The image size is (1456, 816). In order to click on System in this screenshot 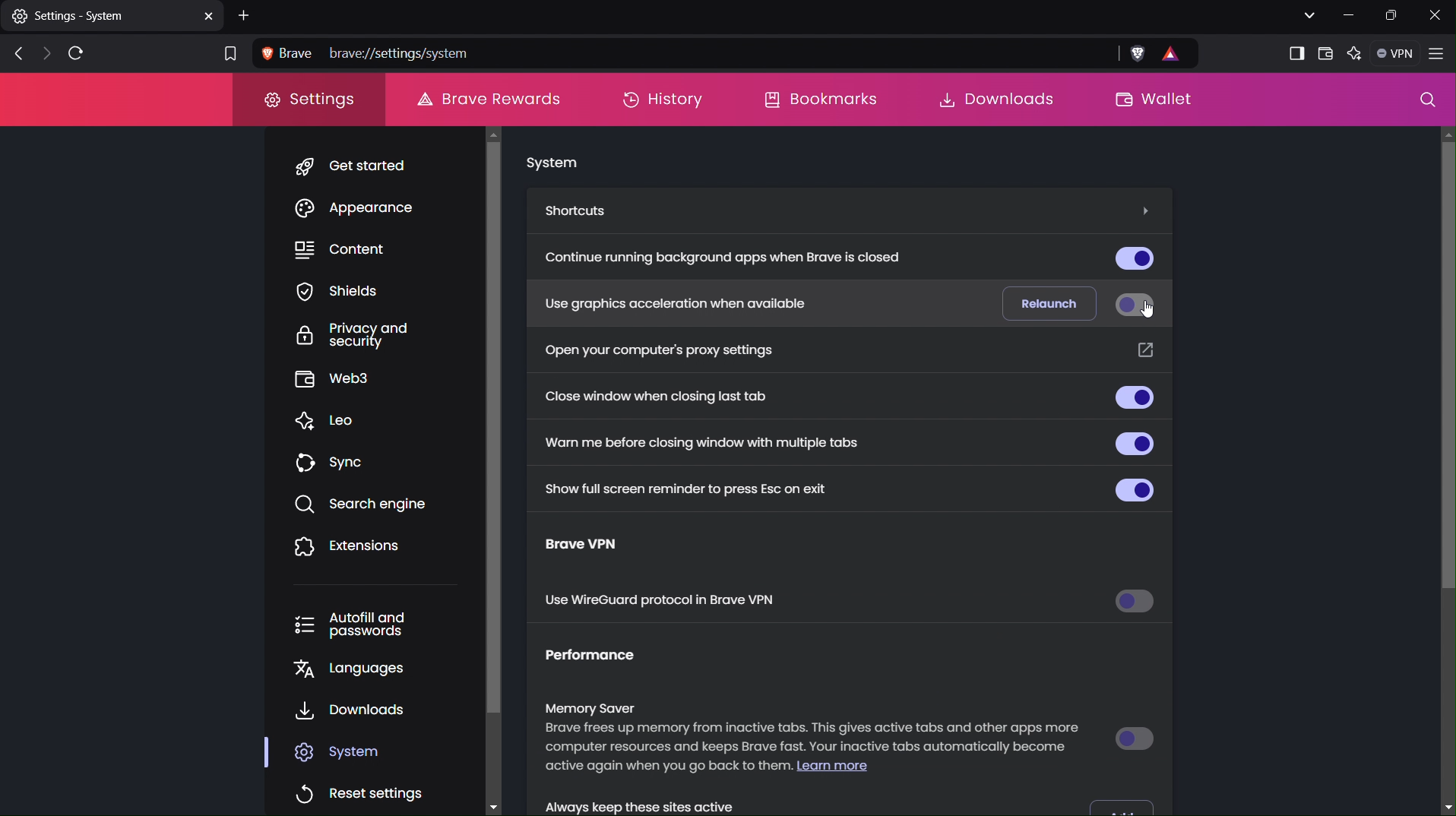, I will do `click(551, 164)`.